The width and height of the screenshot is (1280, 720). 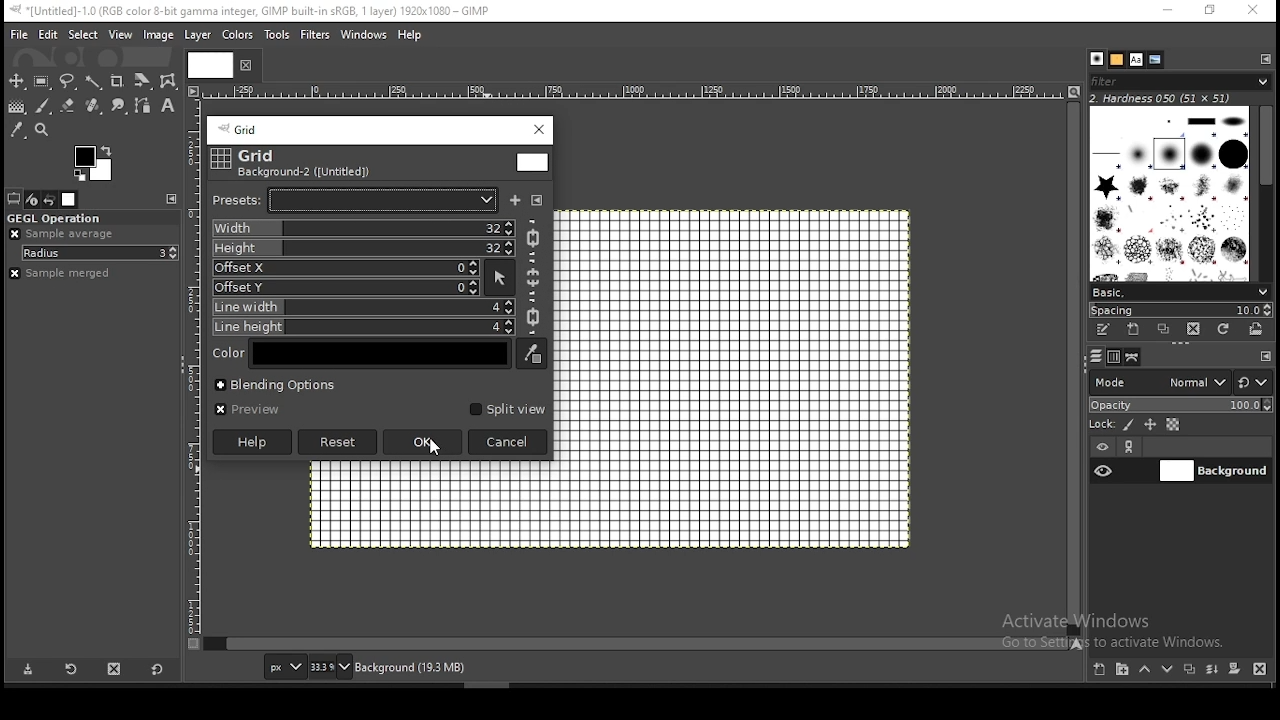 What do you see at coordinates (43, 82) in the screenshot?
I see `rectangular selection tool` at bounding box center [43, 82].